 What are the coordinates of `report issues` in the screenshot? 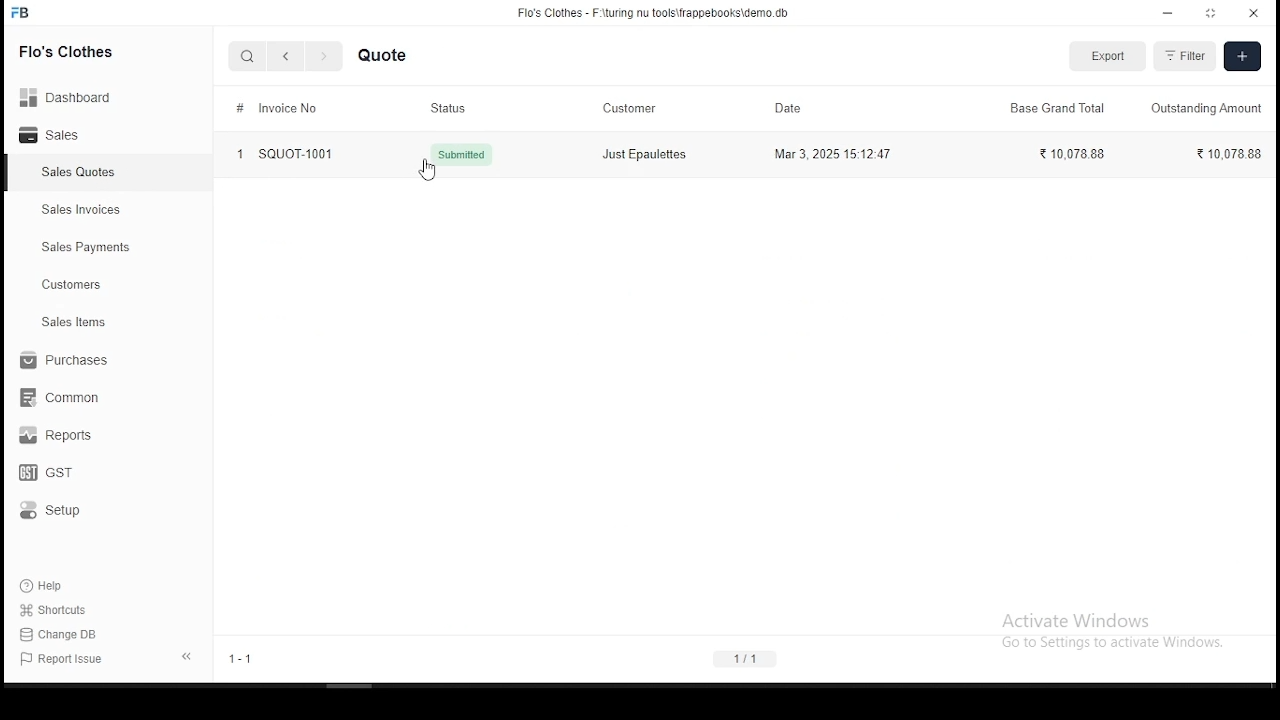 It's located at (65, 660).